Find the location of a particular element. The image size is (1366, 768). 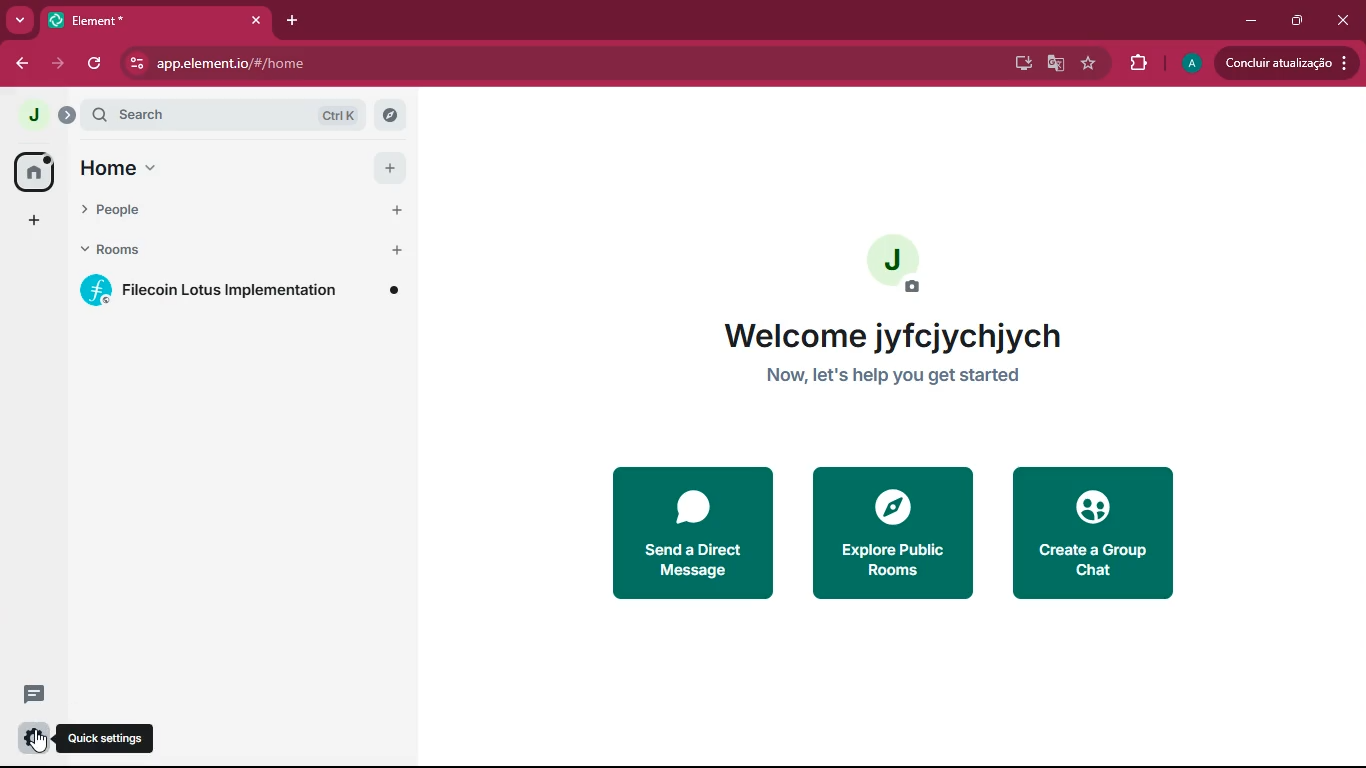

explore public rooms is located at coordinates (895, 535).